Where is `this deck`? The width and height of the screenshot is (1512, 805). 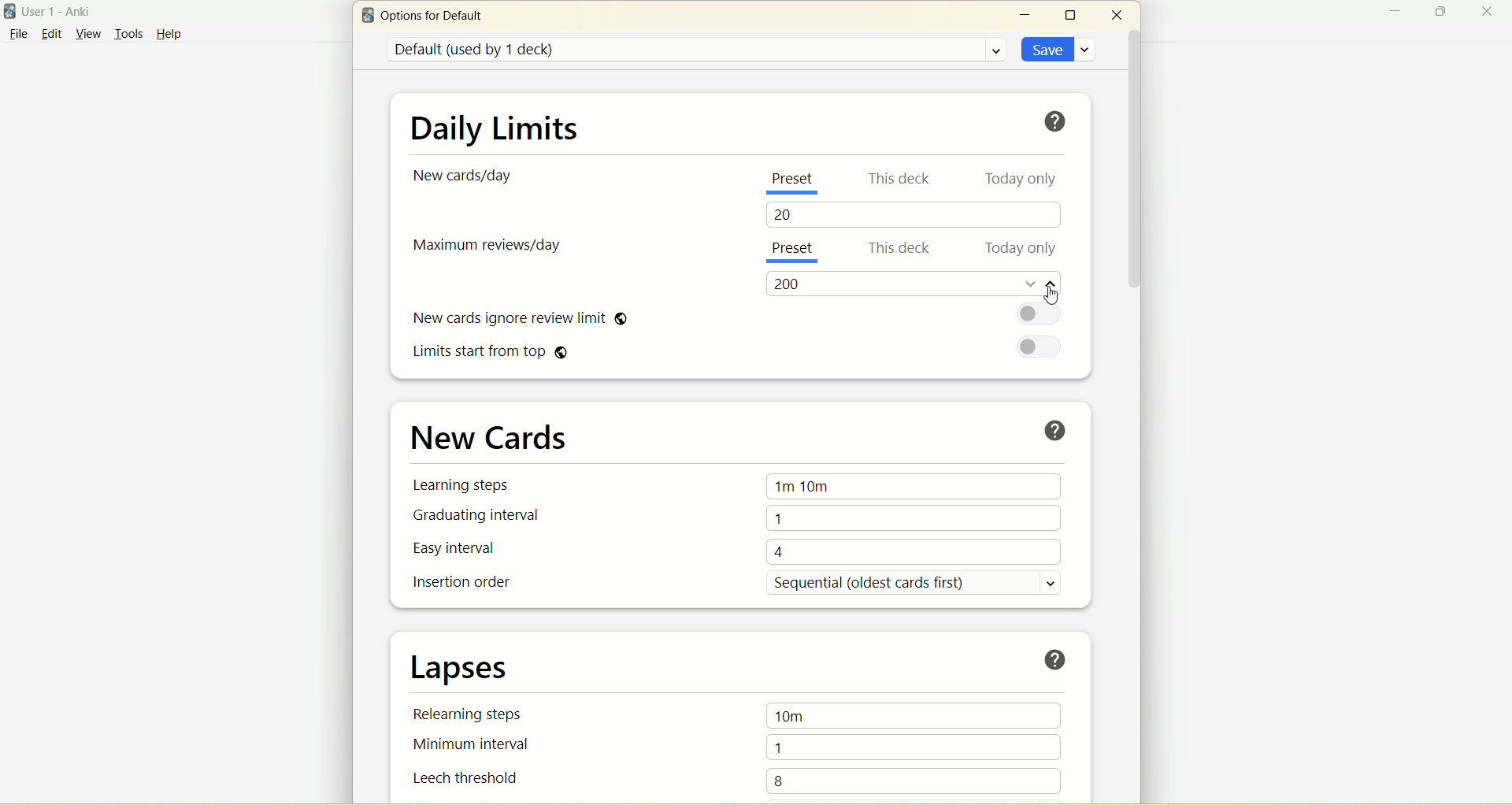
this deck is located at coordinates (901, 177).